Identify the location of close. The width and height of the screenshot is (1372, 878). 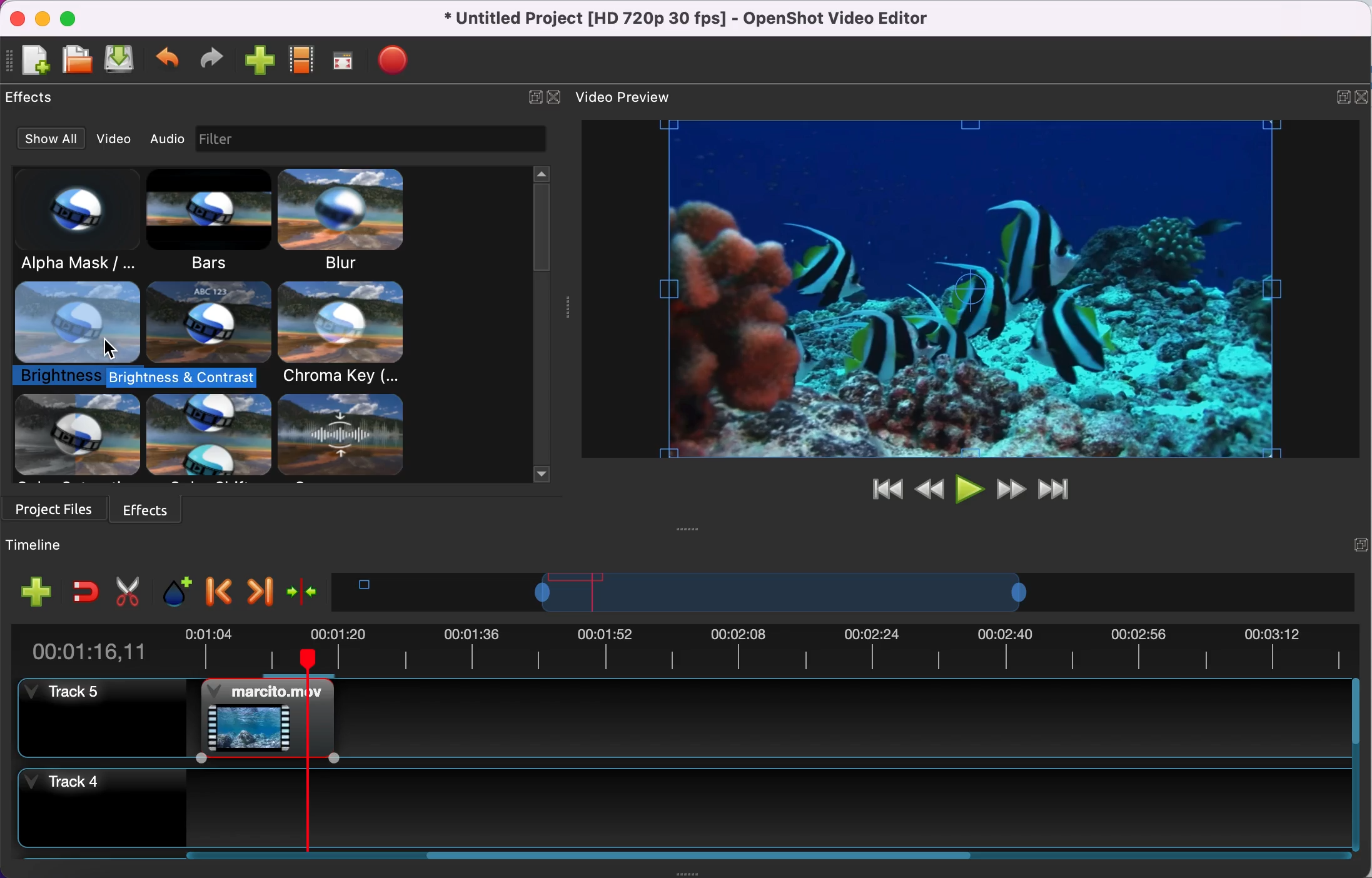
(20, 17).